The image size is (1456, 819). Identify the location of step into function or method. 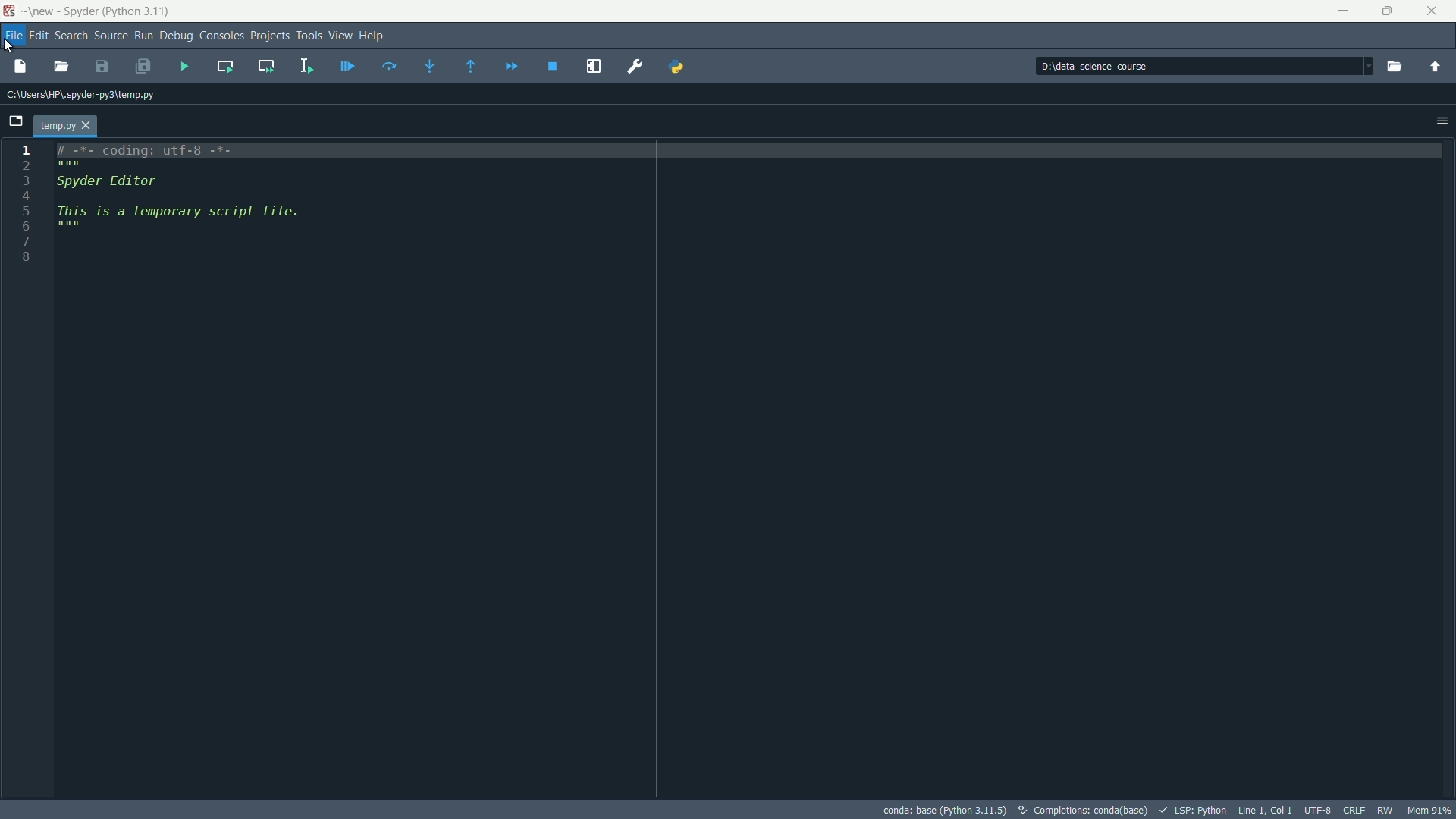
(431, 65).